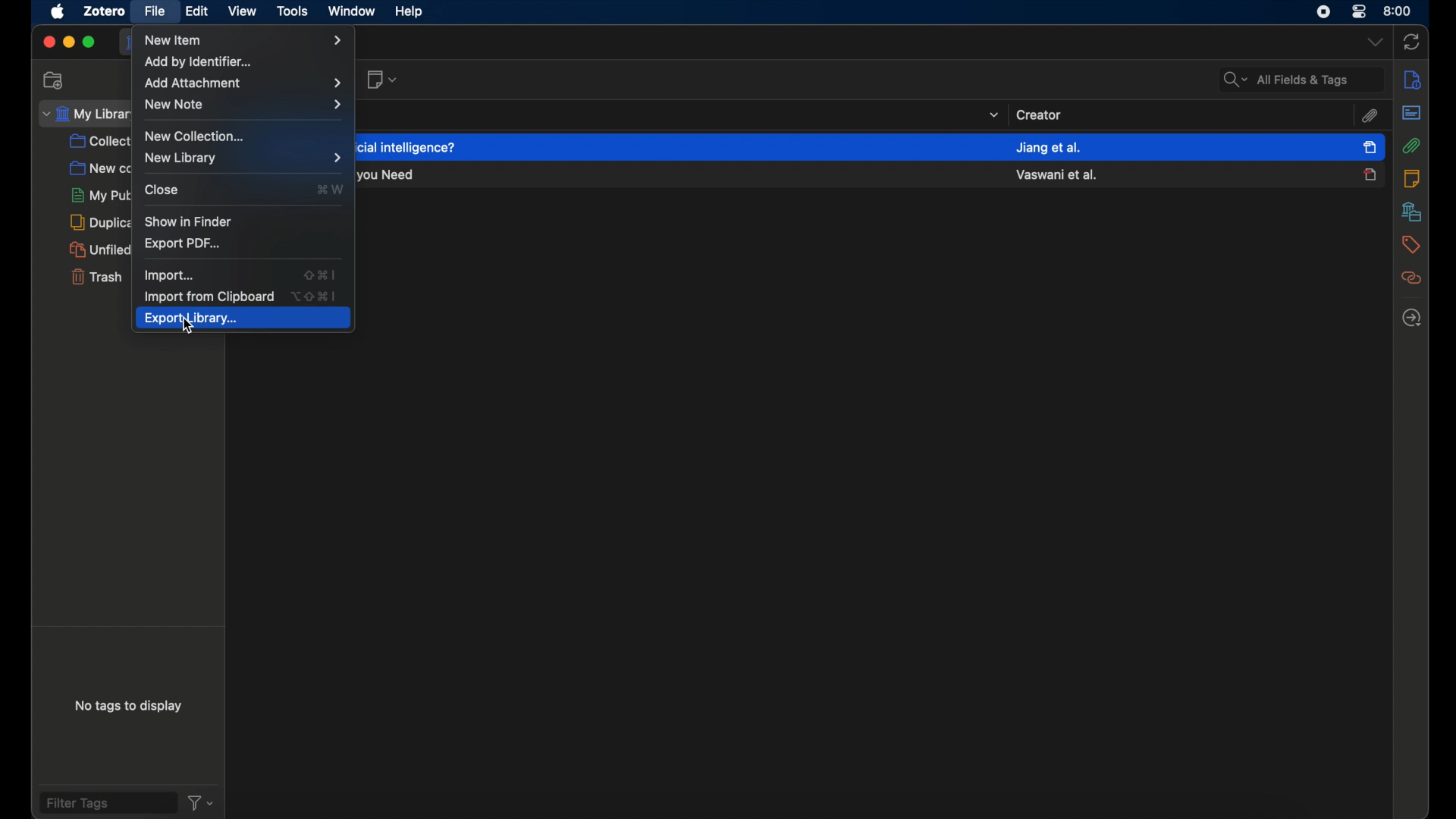 The width and height of the screenshot is (1456, 819). Describe the element at coordinates (98, 249) in the screenshot. I see `unified items` at that location.